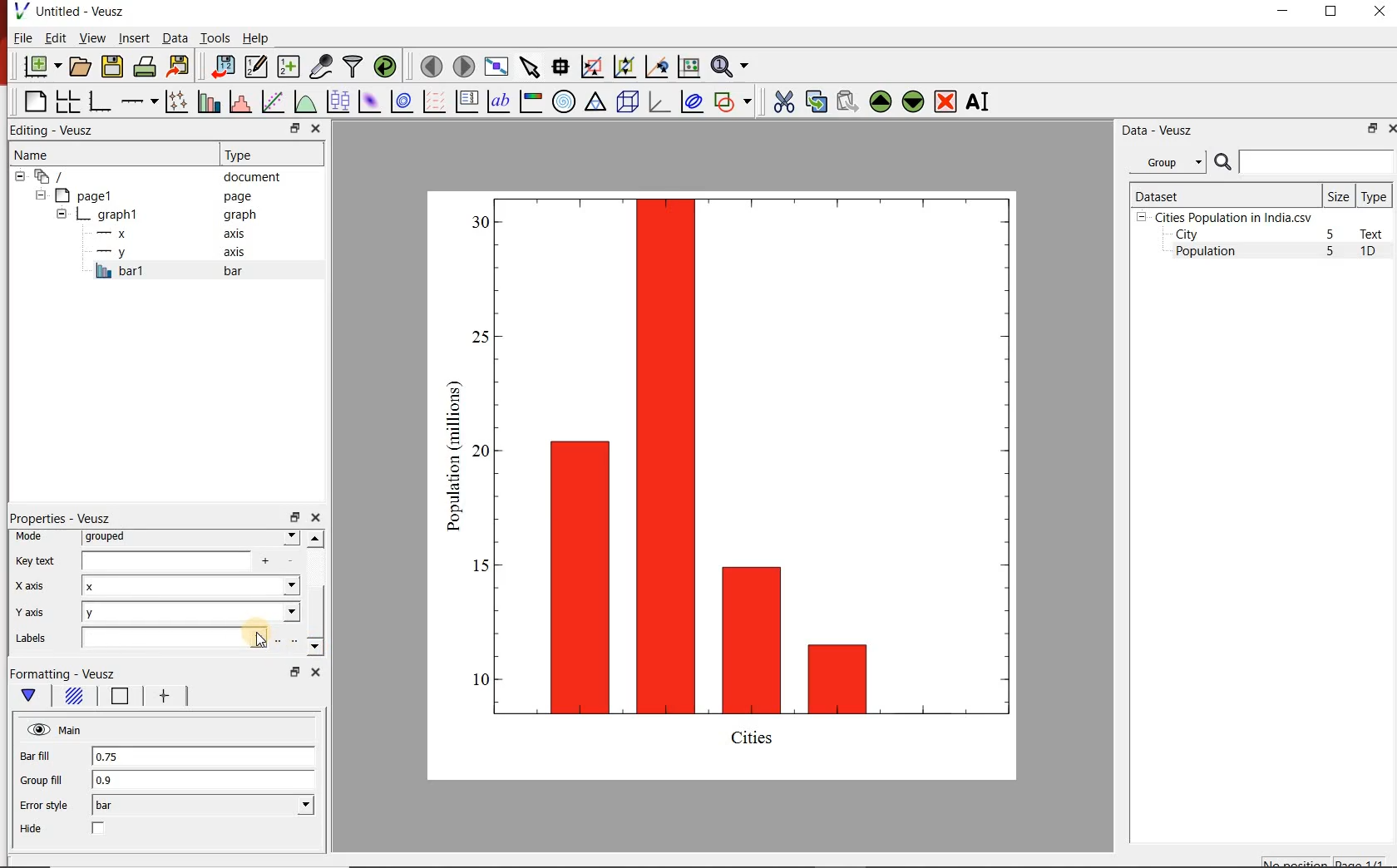 Image resolution: width=1397 pixels, height=868 pixels. I want to click on mode, so click(33, 537).